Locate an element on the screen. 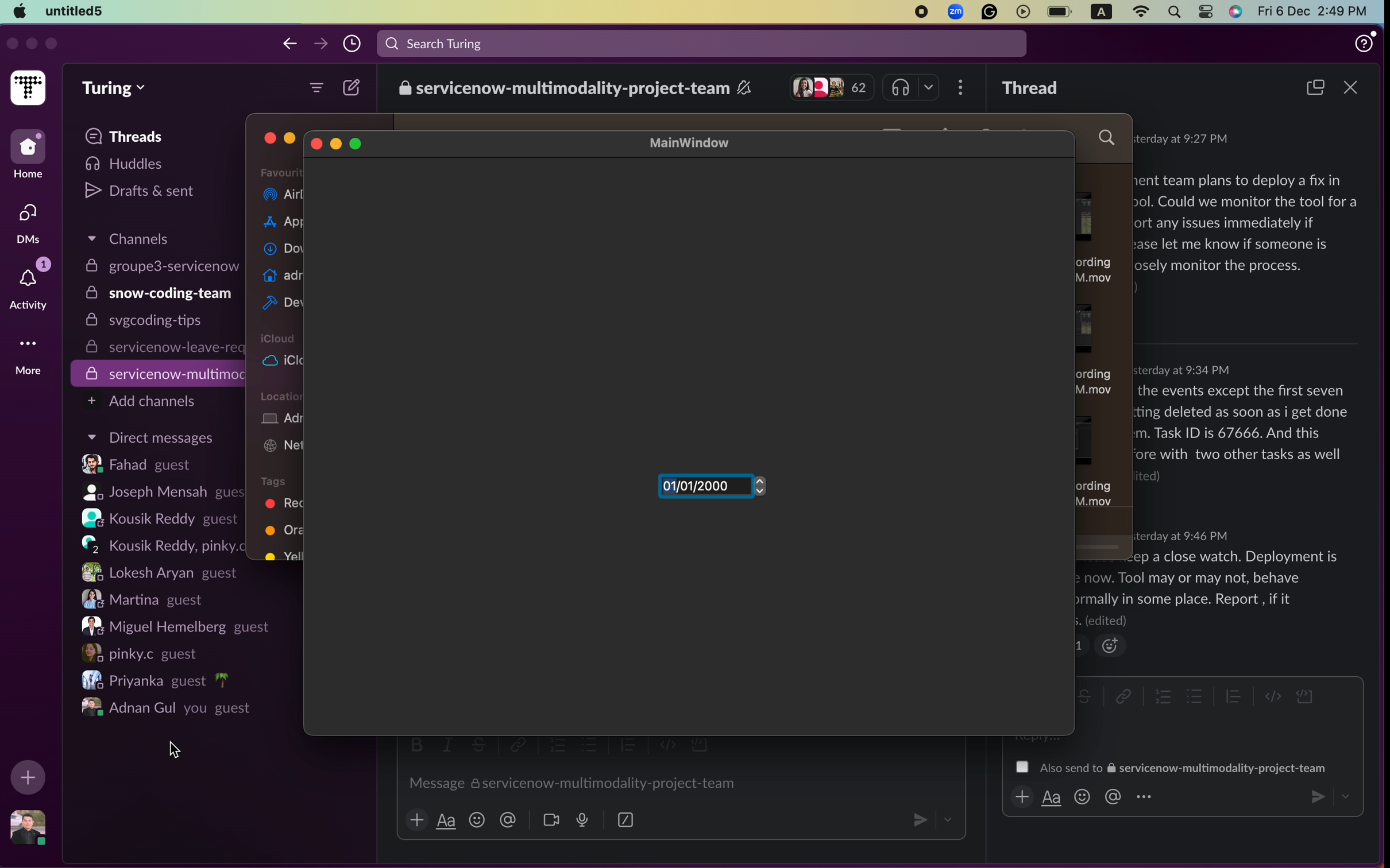  mute is located at coordinates (745, 88).